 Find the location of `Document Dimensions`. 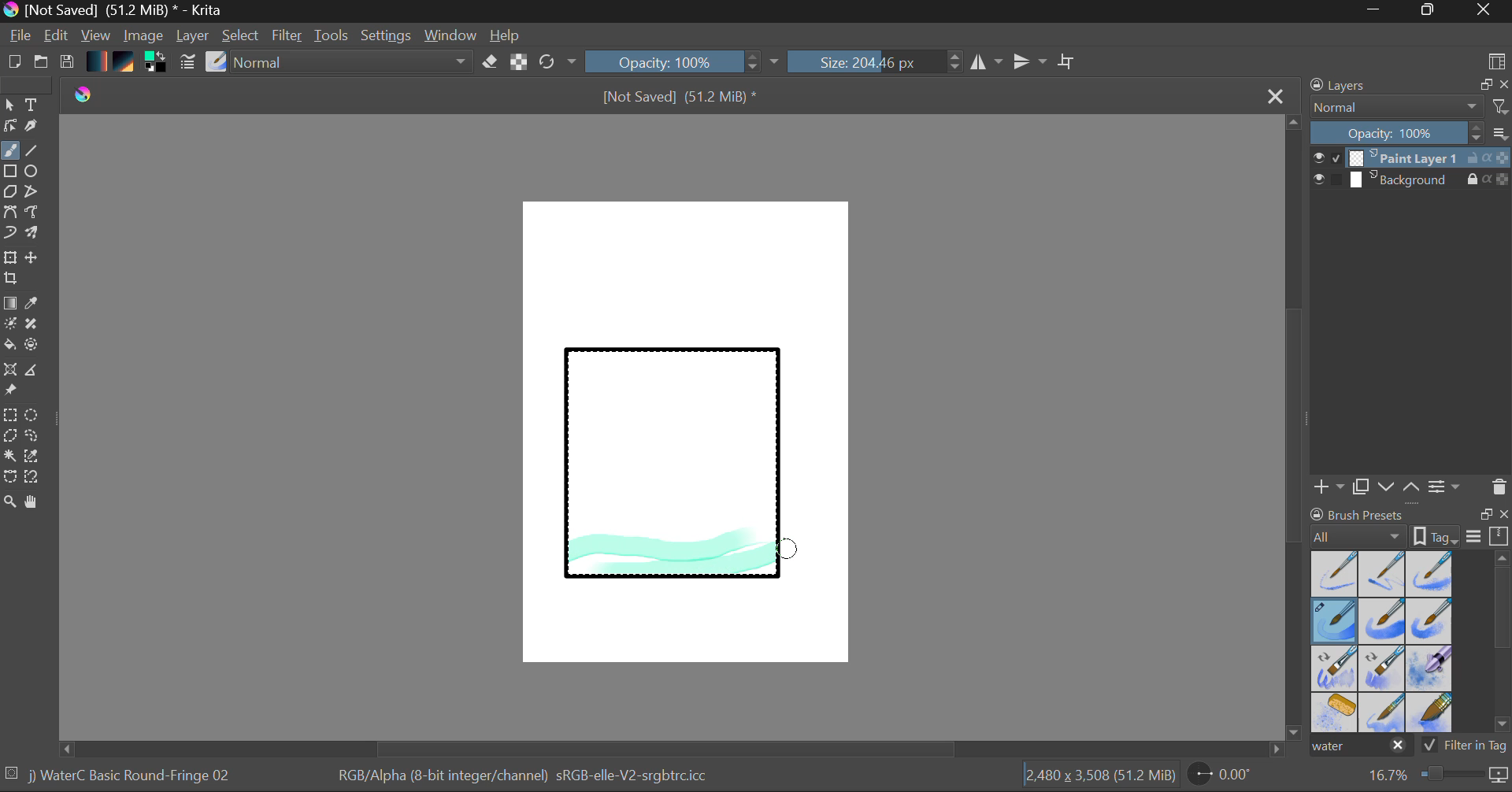

Document Dimensions is located at coordinates (1099, 778).